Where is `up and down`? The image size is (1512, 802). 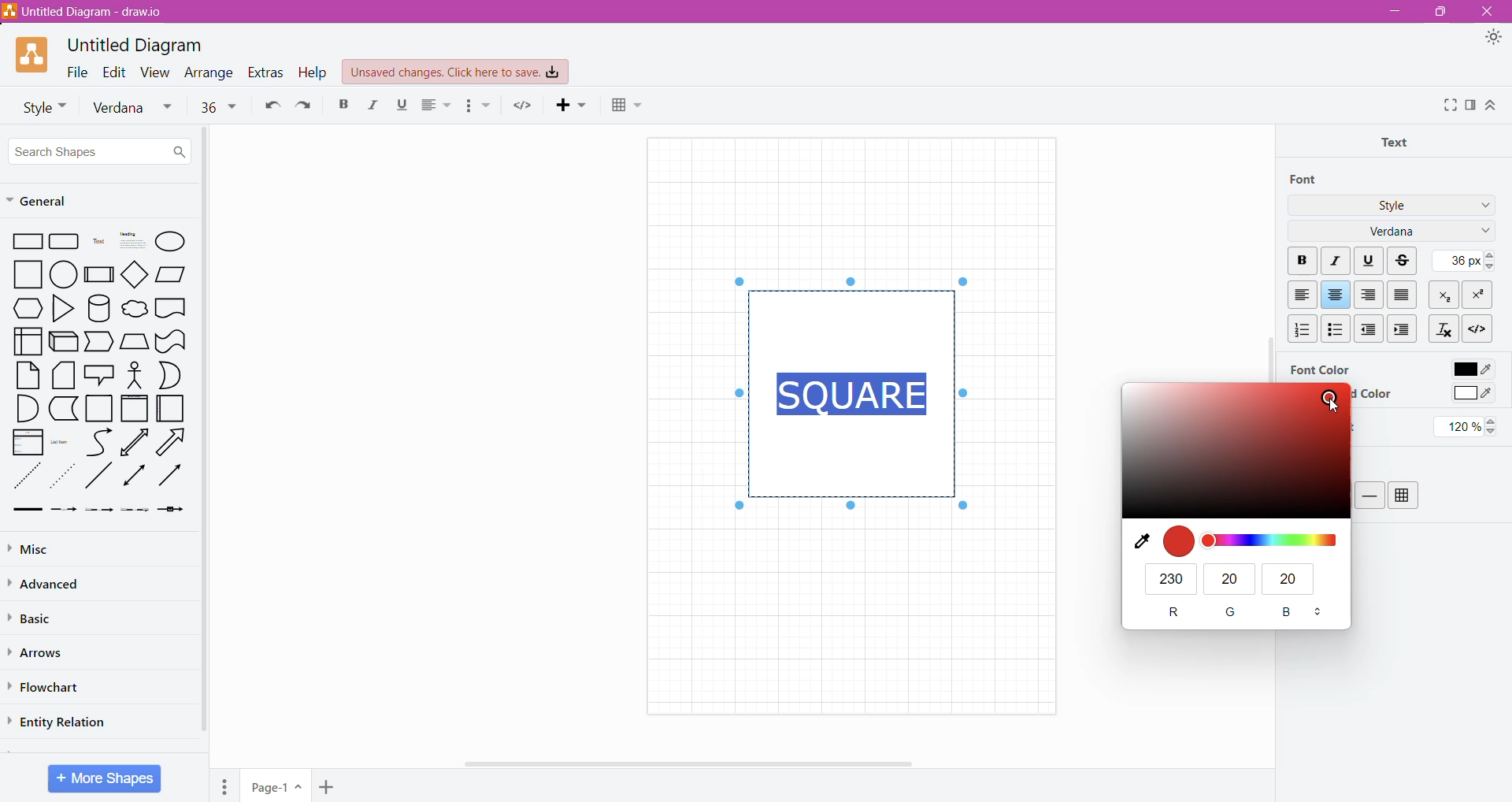 up and down is located at coordinates (1320, 613).